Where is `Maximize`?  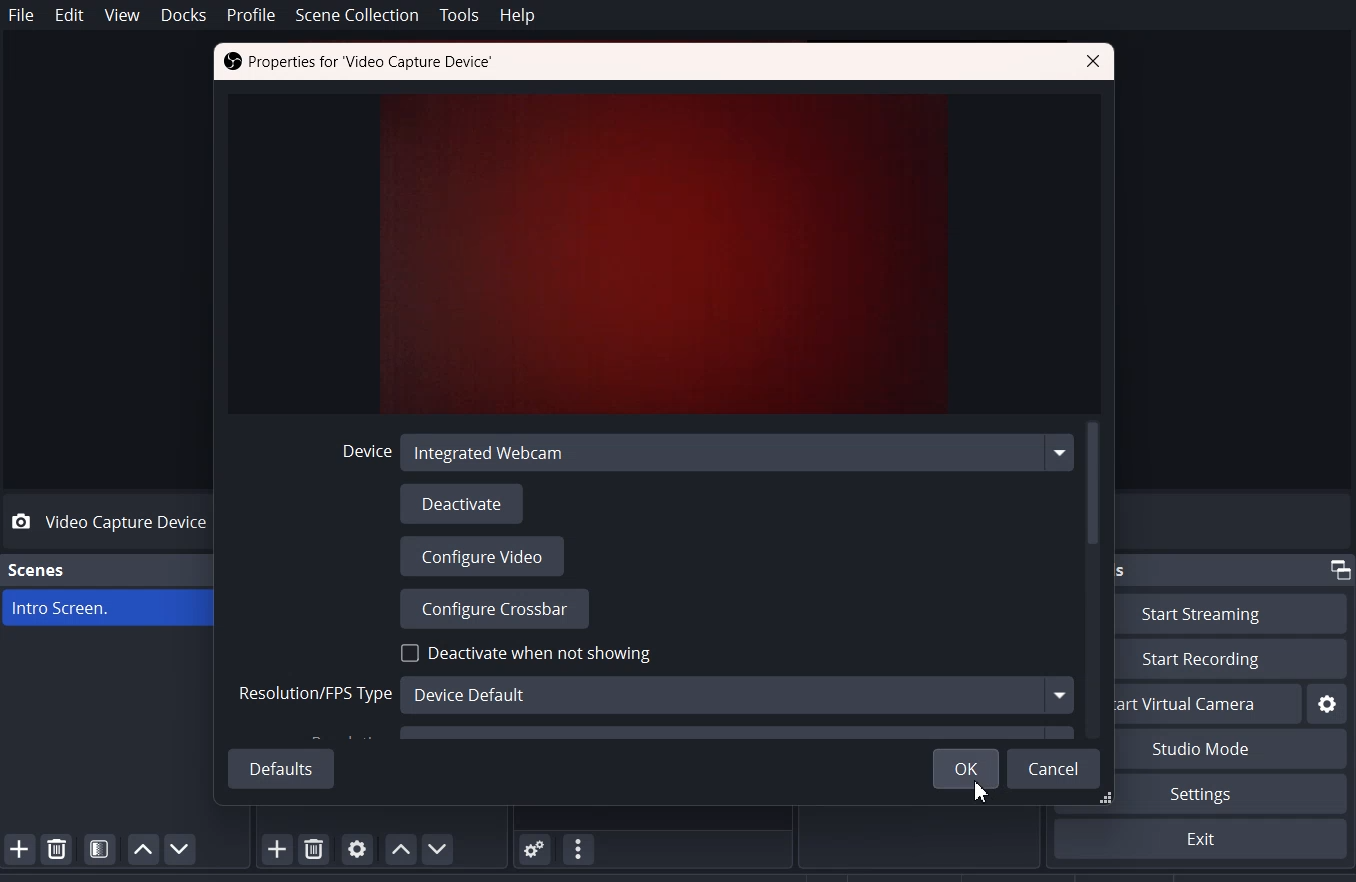
Maximize is located at coordinates (1339, 568).